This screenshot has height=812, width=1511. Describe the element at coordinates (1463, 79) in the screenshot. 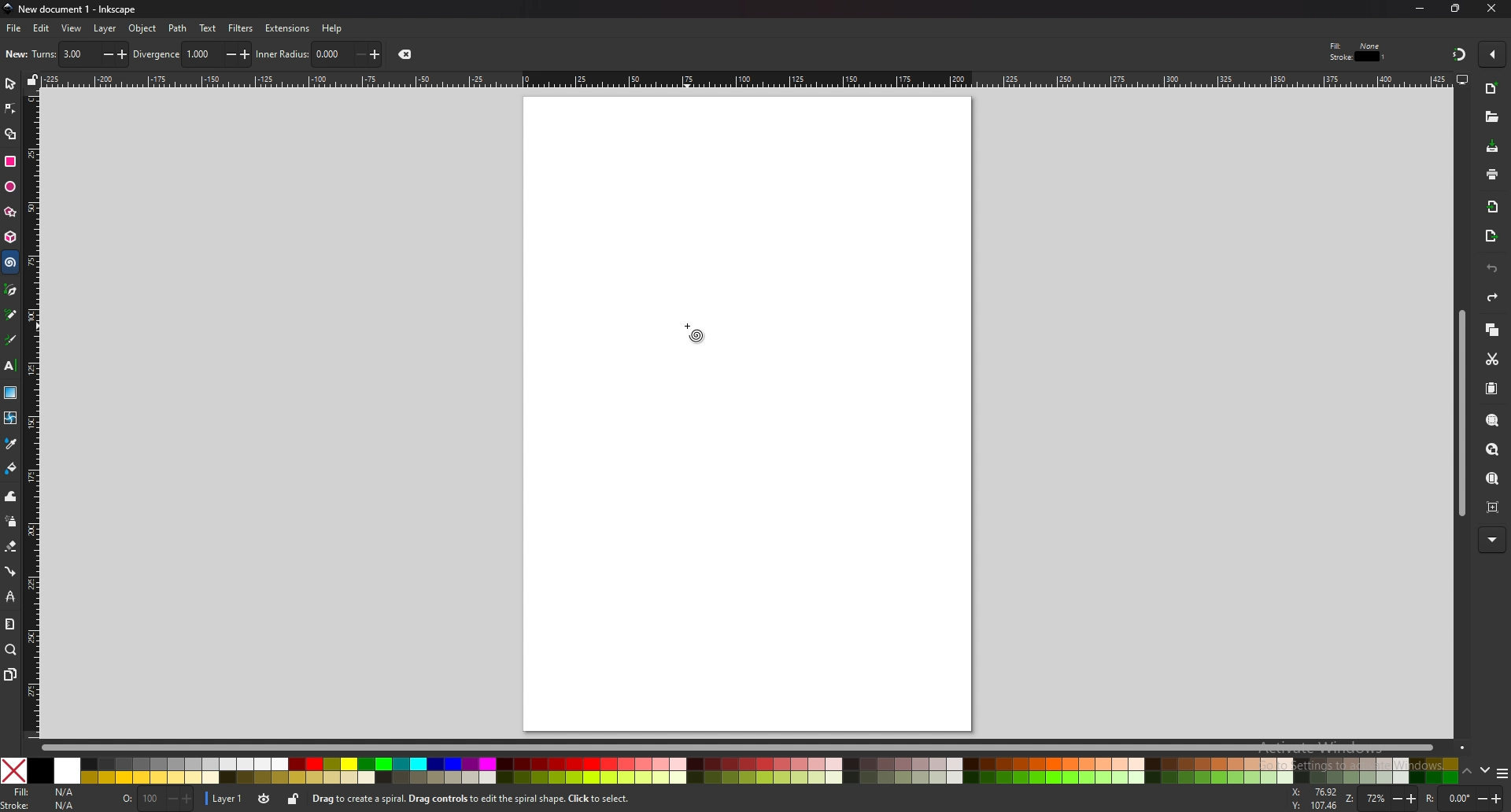

I see `display tools` at that location.